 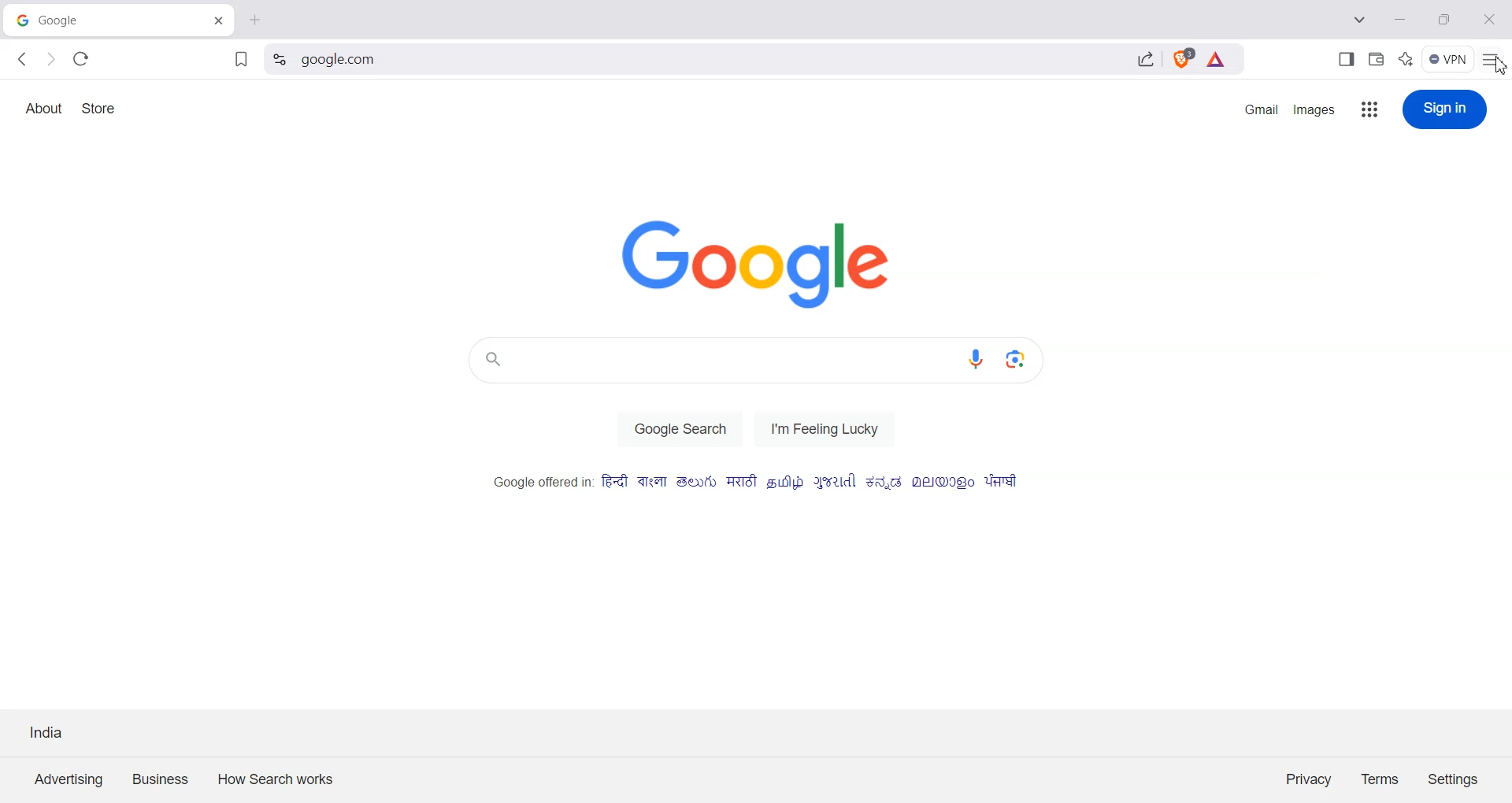 I want to click on I'm Feeling Lucky, so click(x=831, y=428).